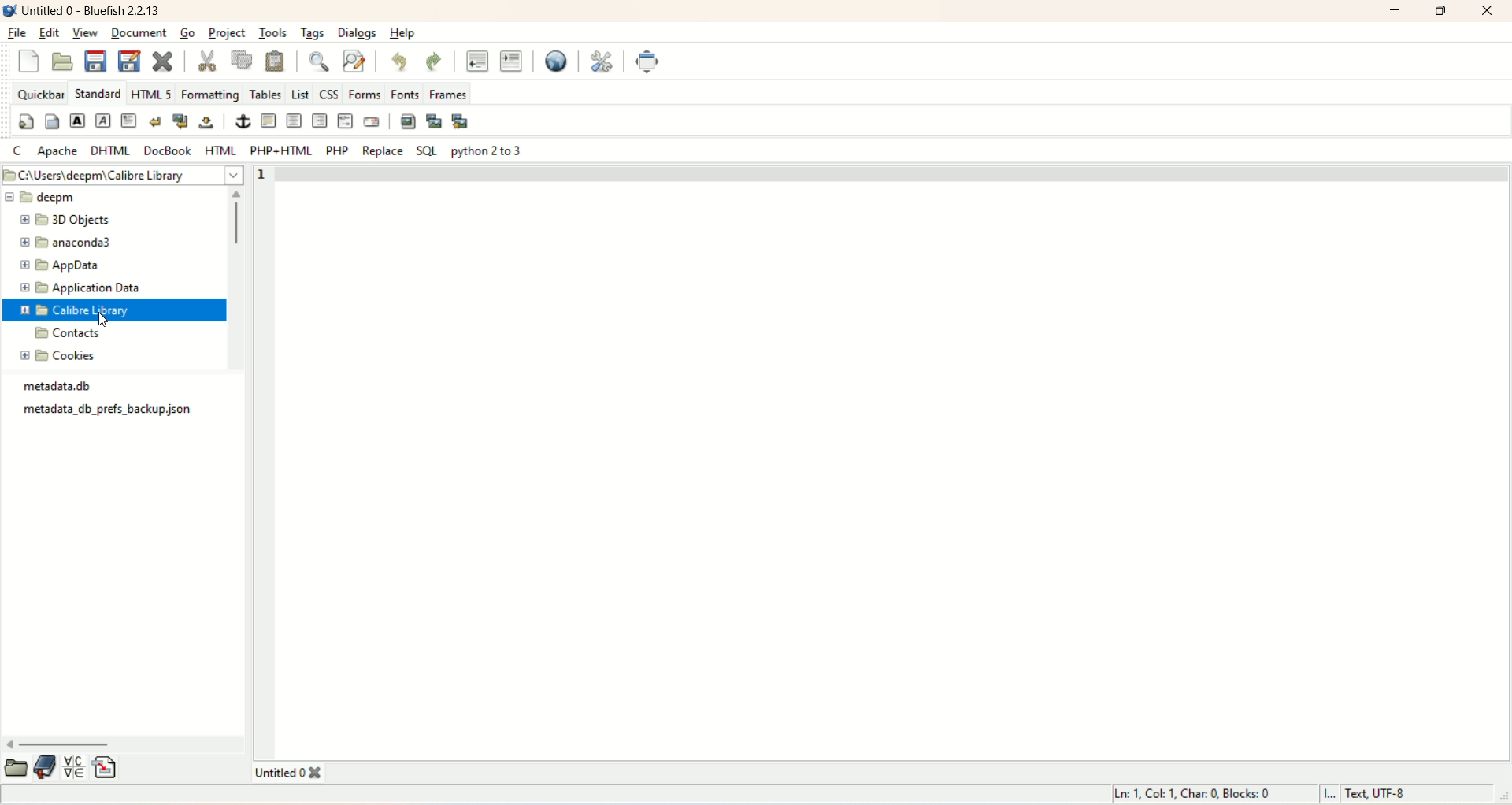 The image size is (1512, 805). What do you see at coordinates (270, 176) in the screenshot?
I see `line number` at bounding box center [270, 176].